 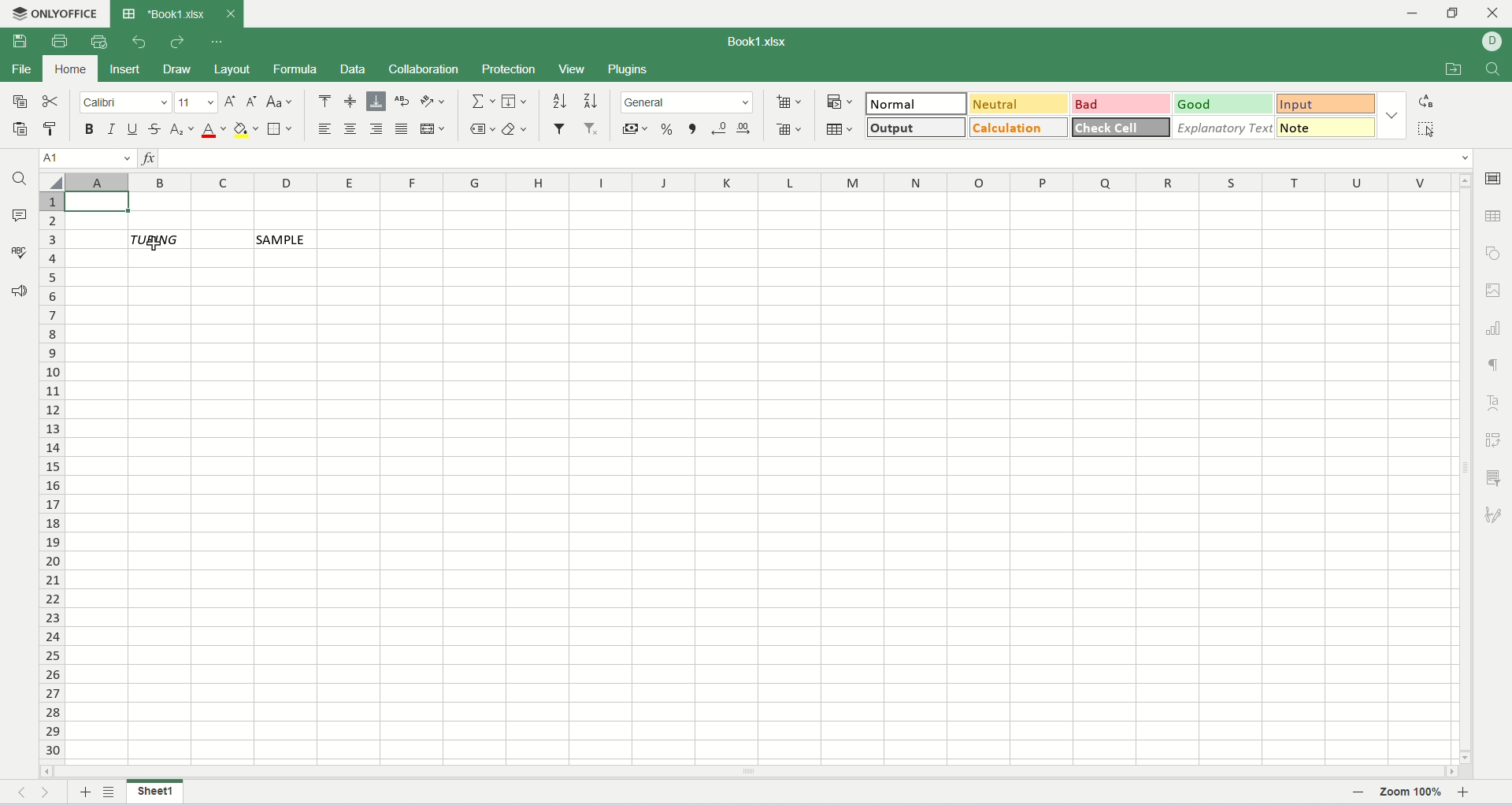 What do you see at coordinates (111, 792) in the screenshot?
I see `list of sheets` at bounding box center [111, 792].